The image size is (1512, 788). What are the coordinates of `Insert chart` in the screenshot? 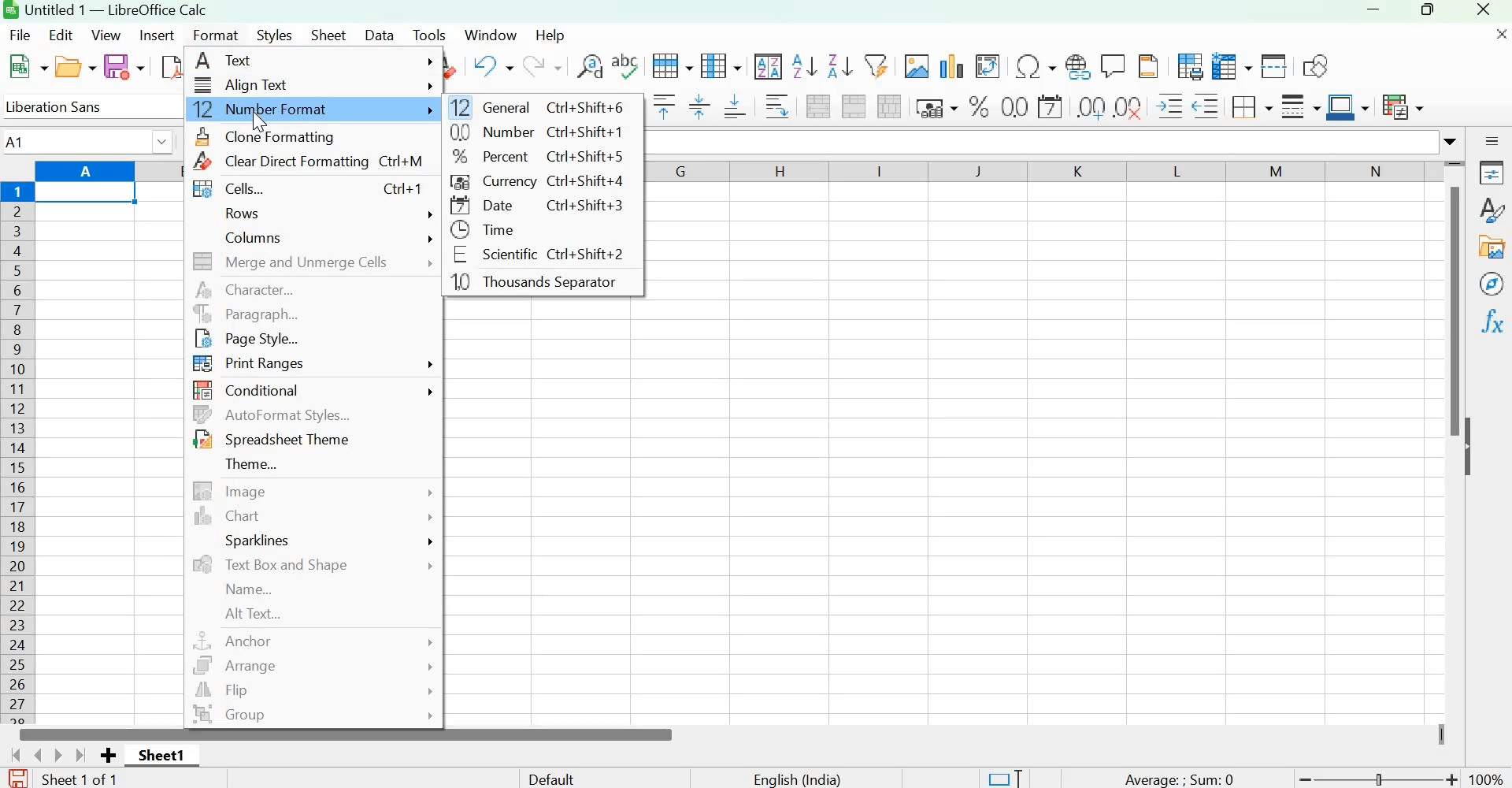 It's located at (952, 65).